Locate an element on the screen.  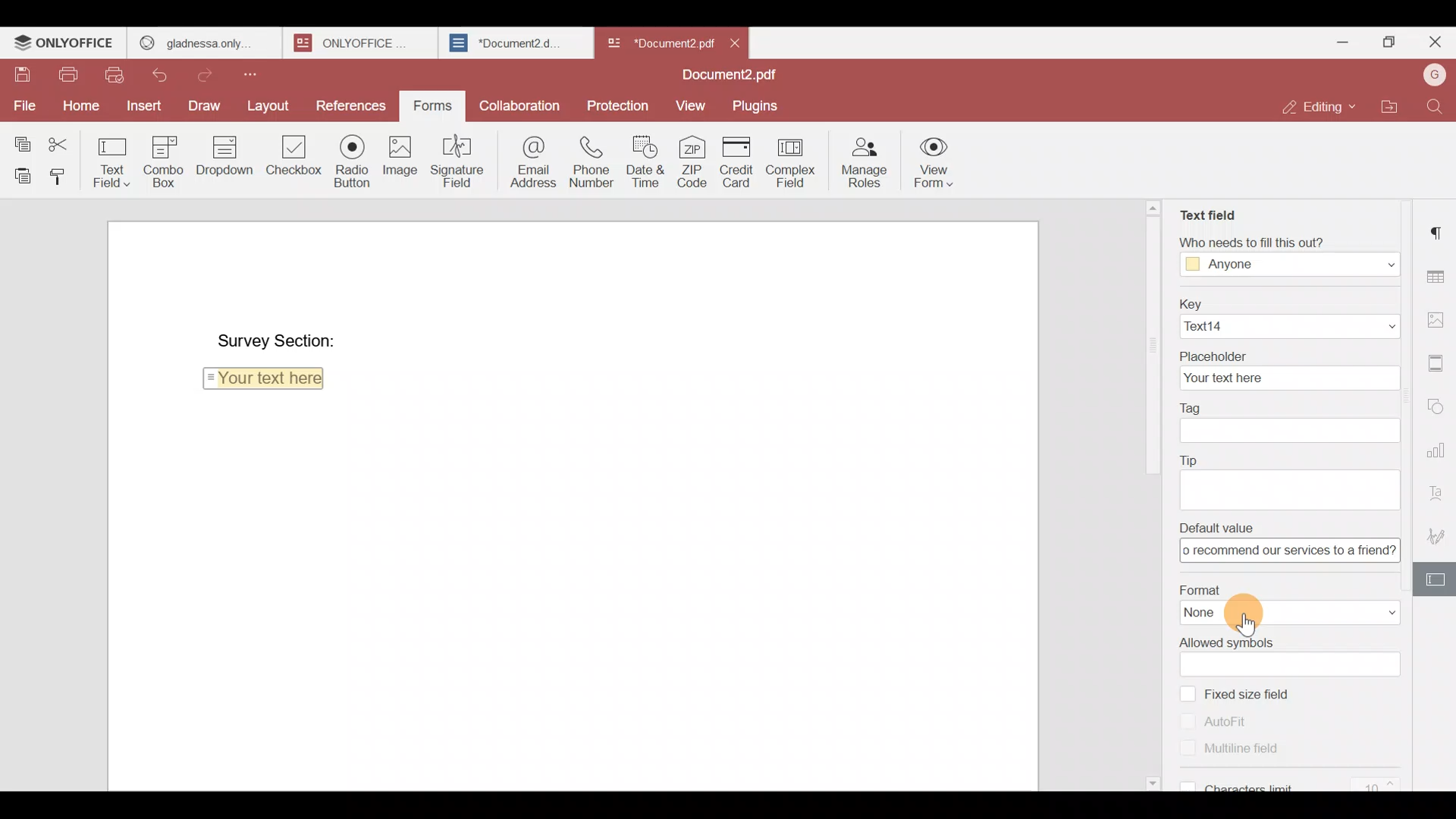
scroll bar is located at coordinates (1148, 338).